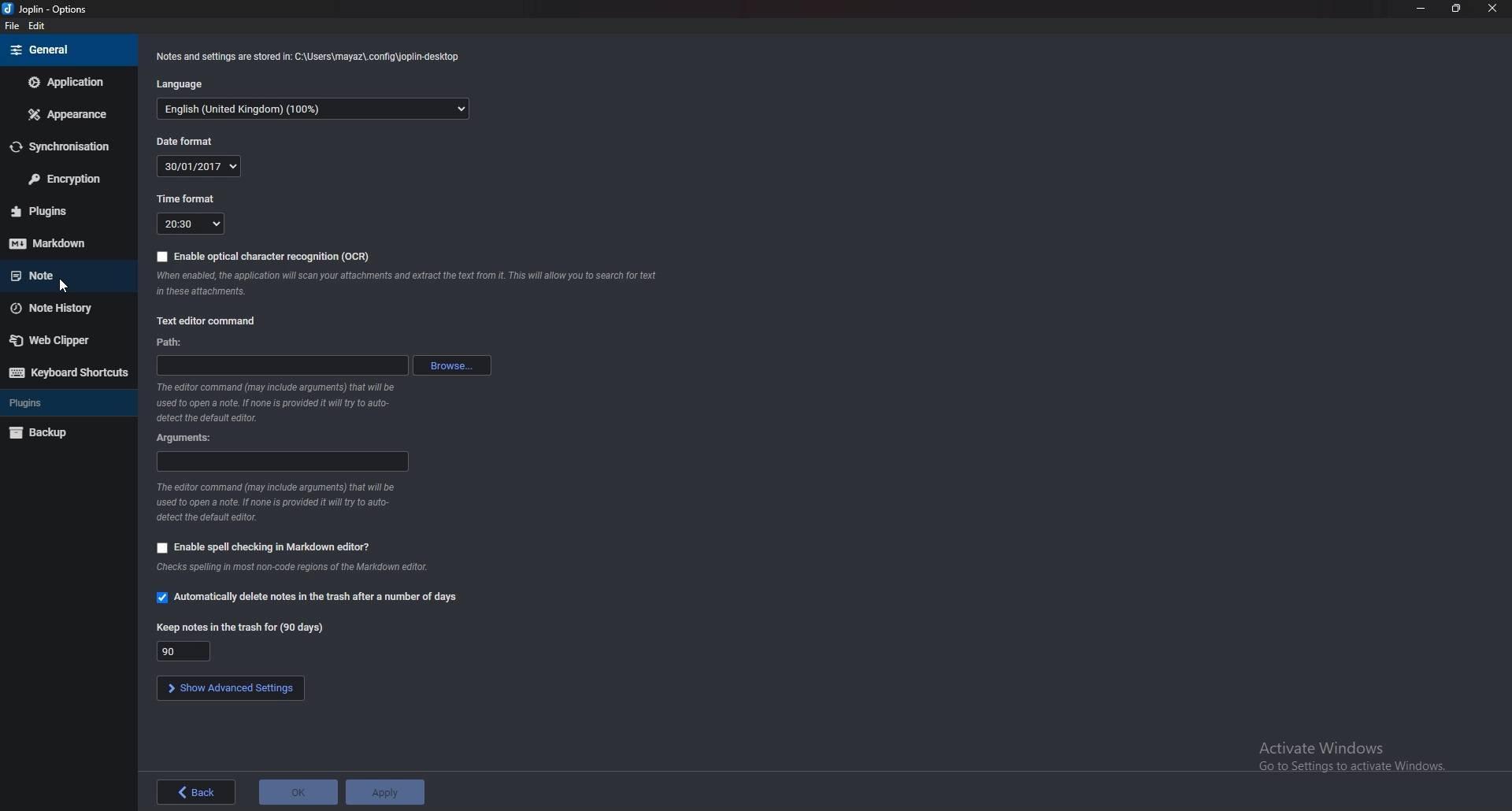  What do you see at coordinates (387, 791) in the screenshot?
I see `apply` at bounding box center [387, 791].